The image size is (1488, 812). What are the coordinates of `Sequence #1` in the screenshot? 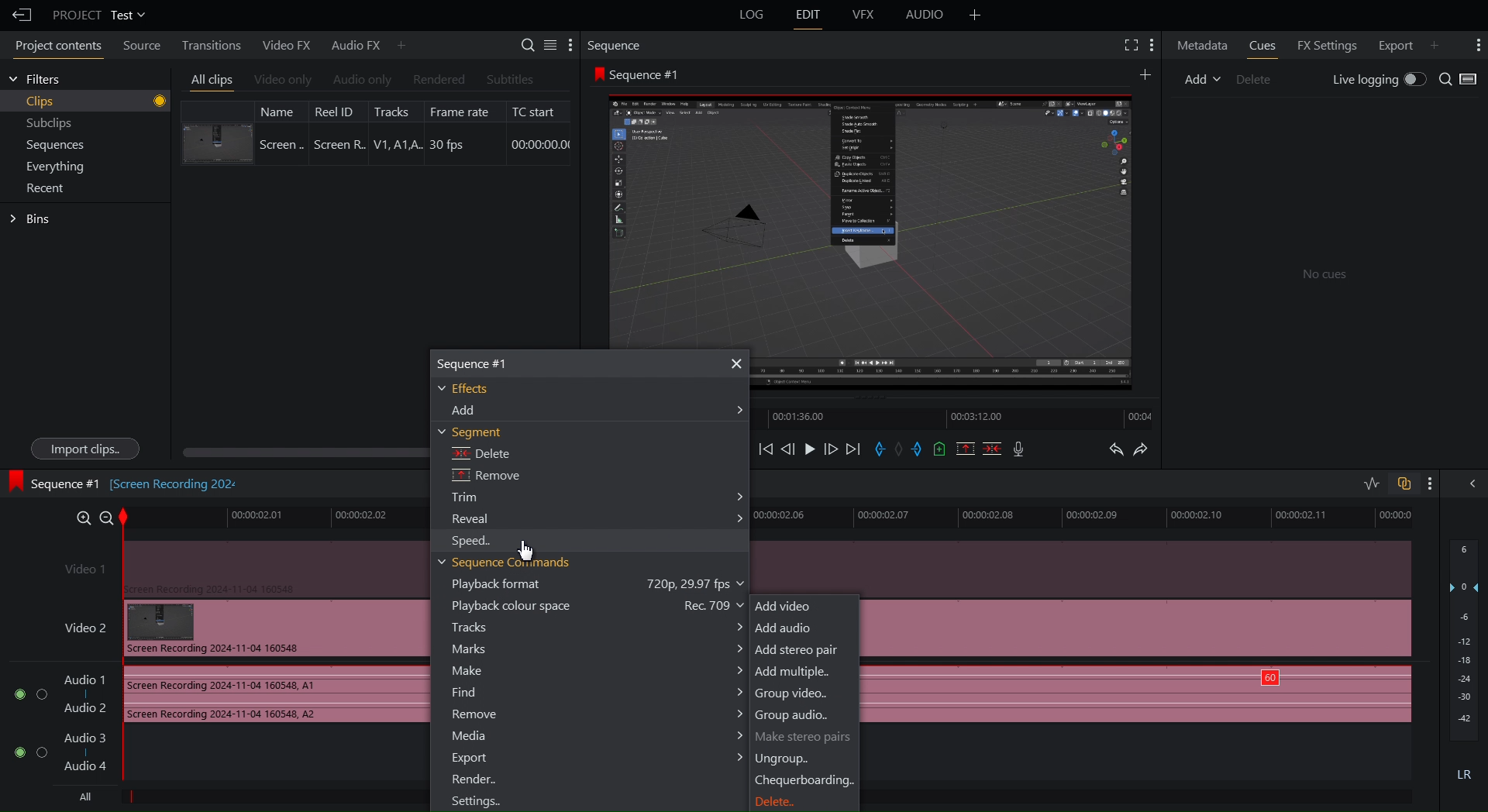 It's located at (640, 74).